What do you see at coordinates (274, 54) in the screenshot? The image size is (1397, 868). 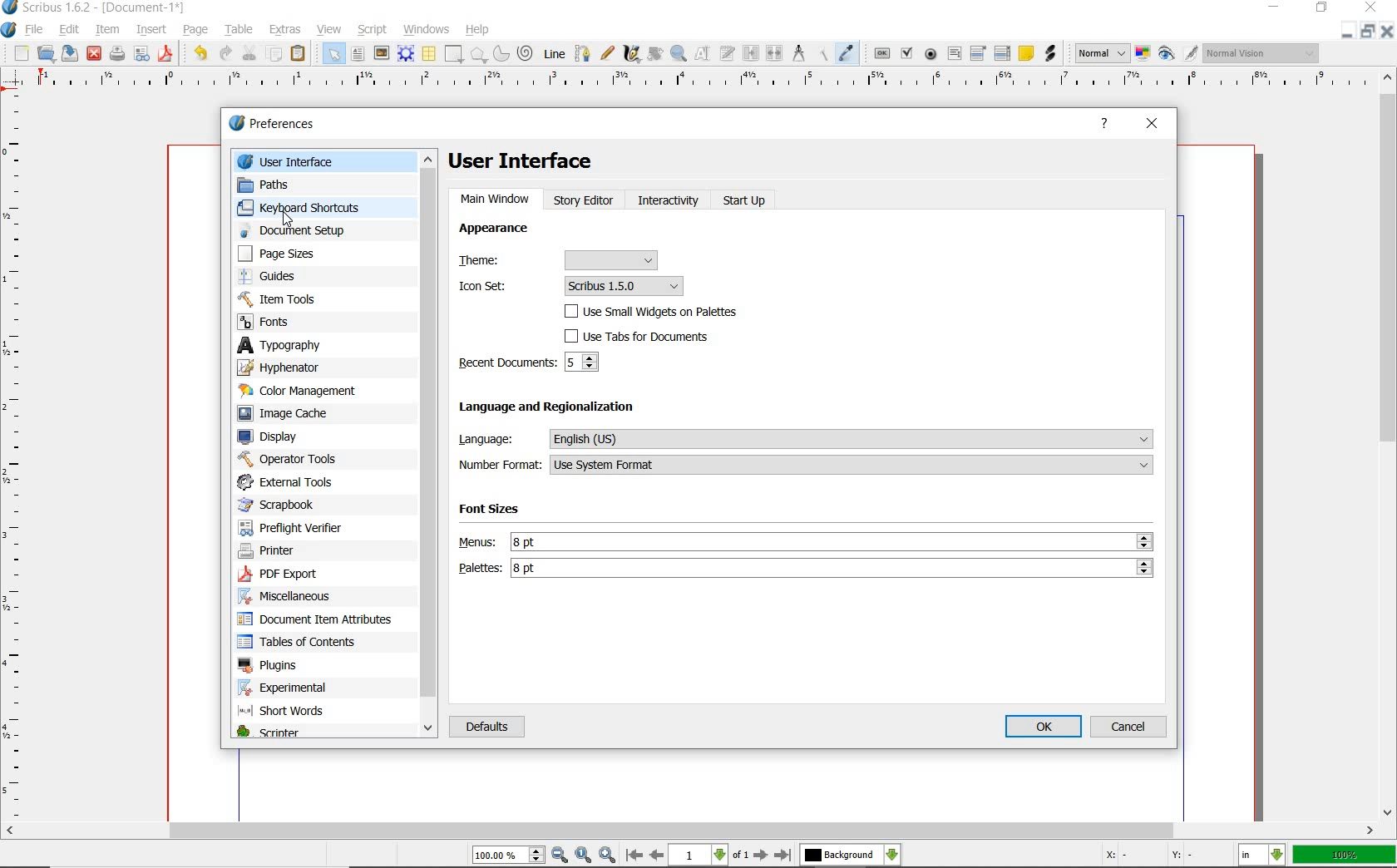 I see `copy` at bounding box center [274, 54].